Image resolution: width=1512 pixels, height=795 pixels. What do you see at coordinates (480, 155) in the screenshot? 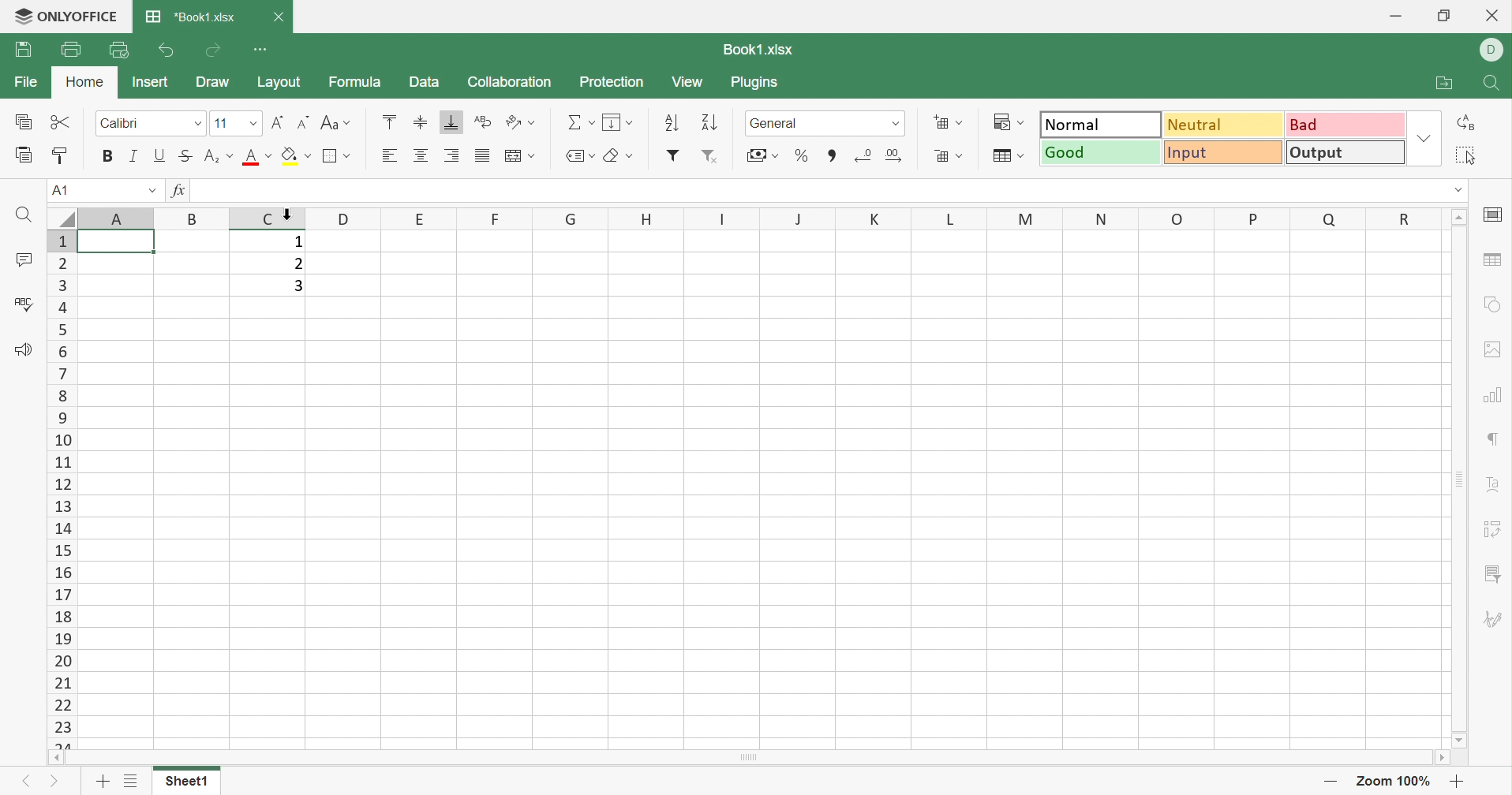
I see `Justified` at bounding box center [480, 155].